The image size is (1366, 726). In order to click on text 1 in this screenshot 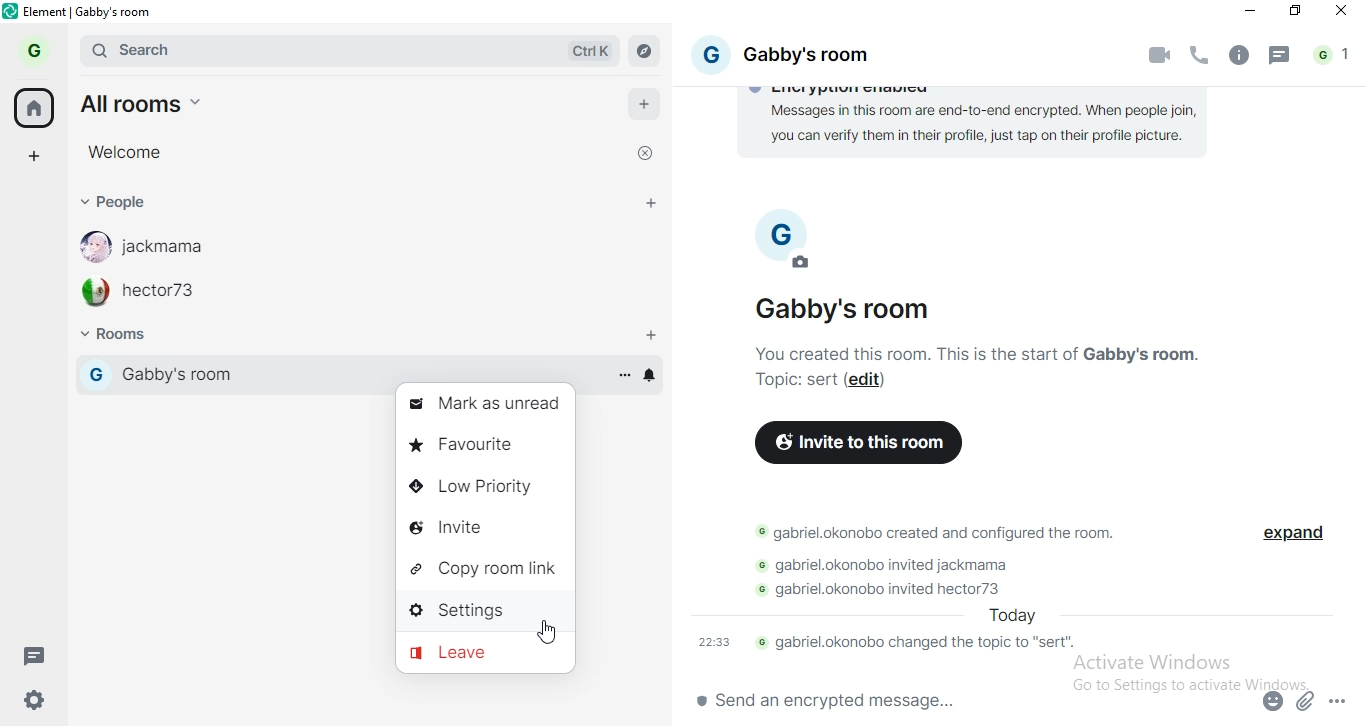, I will do `click(979, 128)`.